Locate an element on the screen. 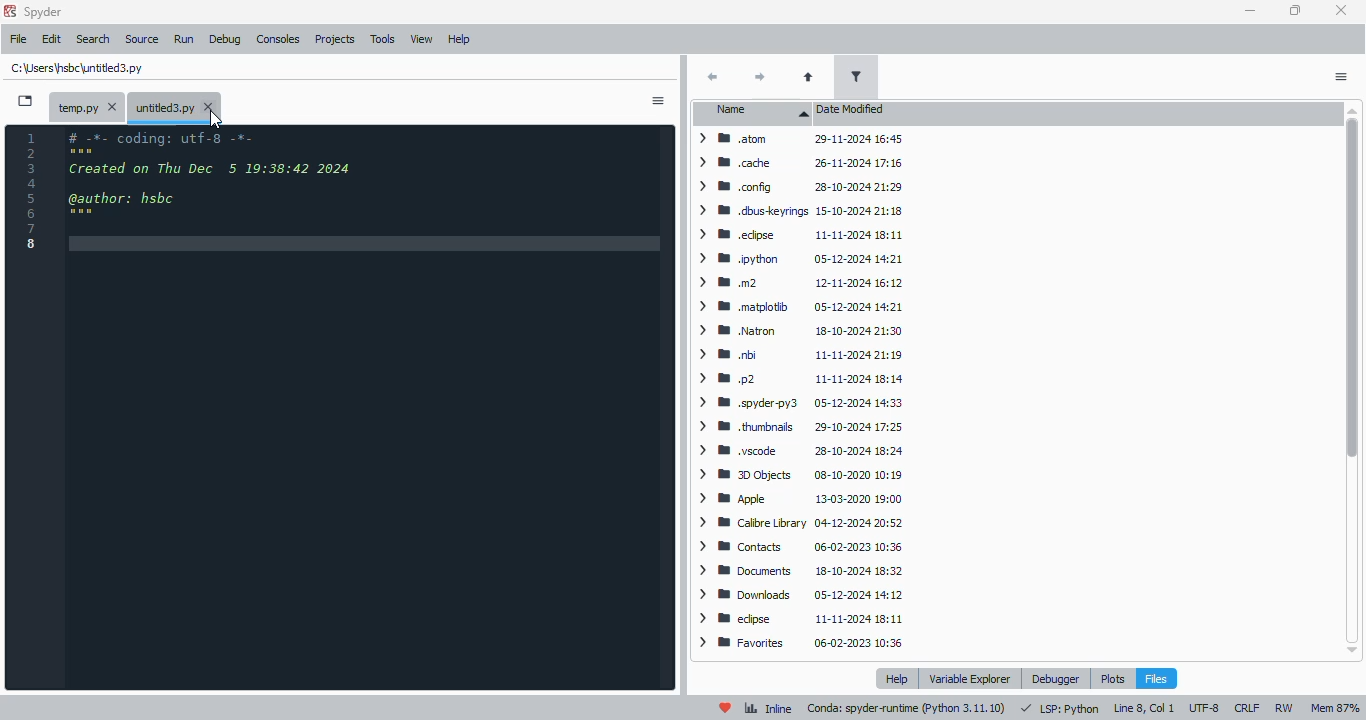 The image size is (1366, 720). plots is located at coordinates (1112, 678).